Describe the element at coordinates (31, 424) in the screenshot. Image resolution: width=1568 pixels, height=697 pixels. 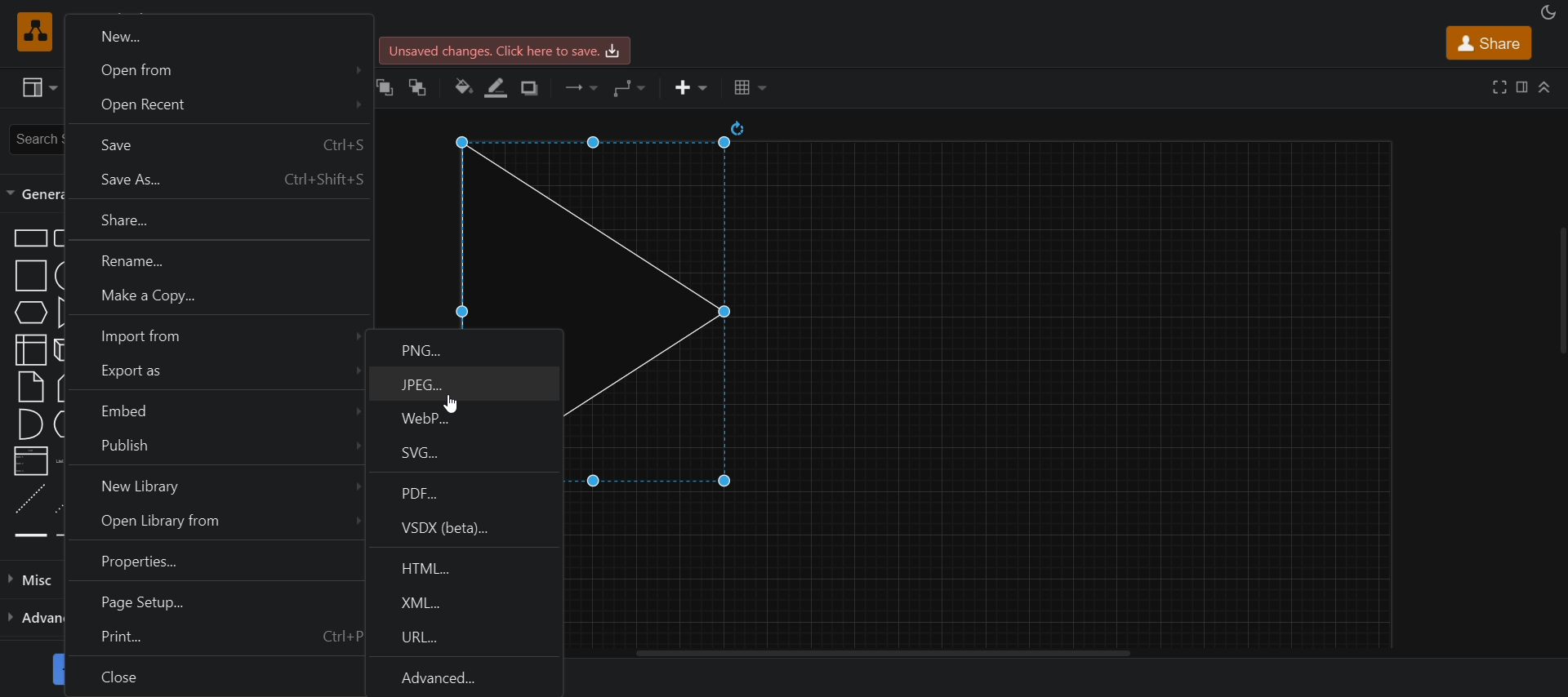
I see `and` at that location.